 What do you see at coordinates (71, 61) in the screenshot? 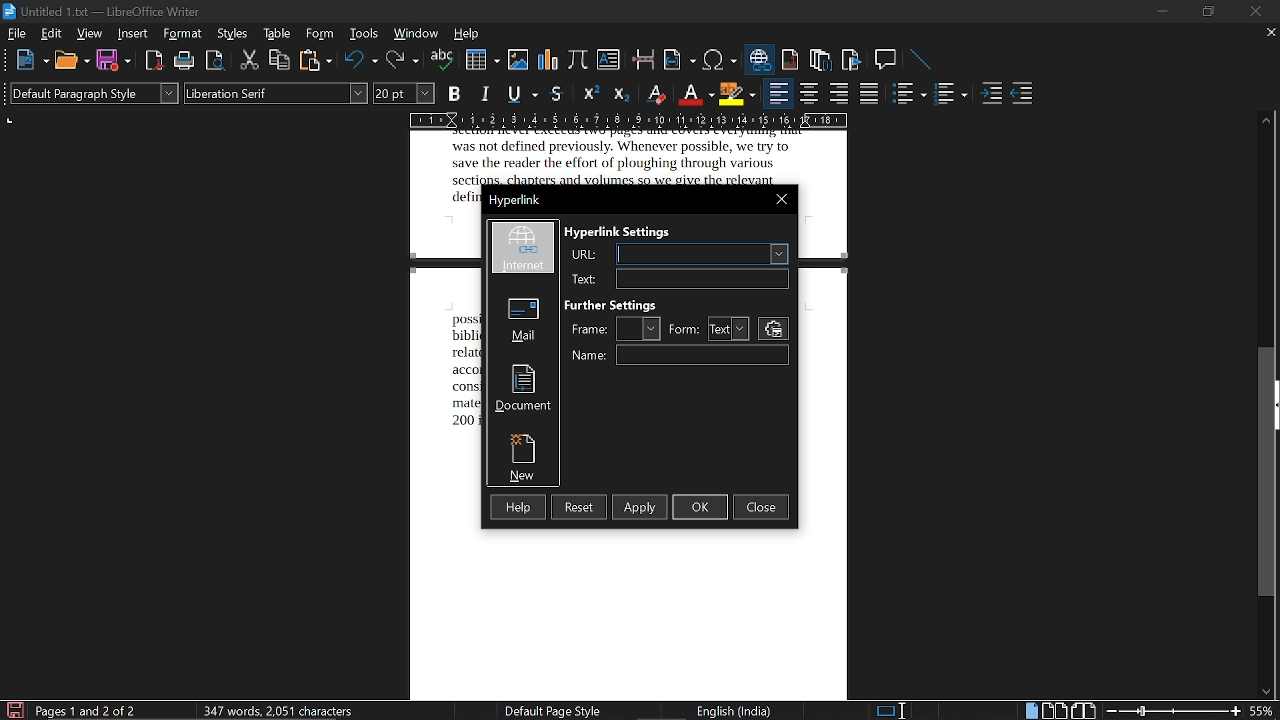
I see `open` at bounding box center [71, 61].